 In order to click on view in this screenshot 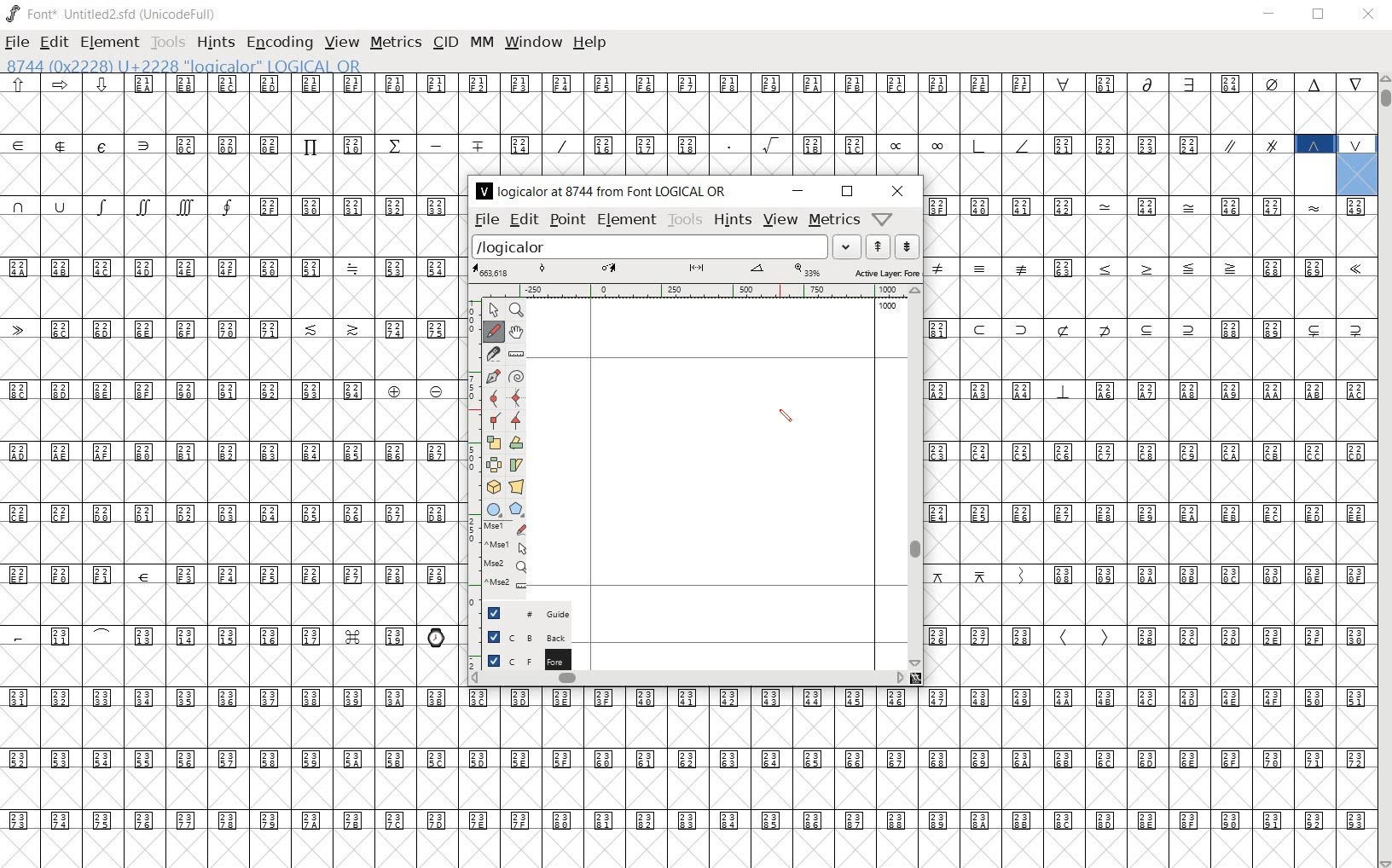, I will do `click(342, 43)`.